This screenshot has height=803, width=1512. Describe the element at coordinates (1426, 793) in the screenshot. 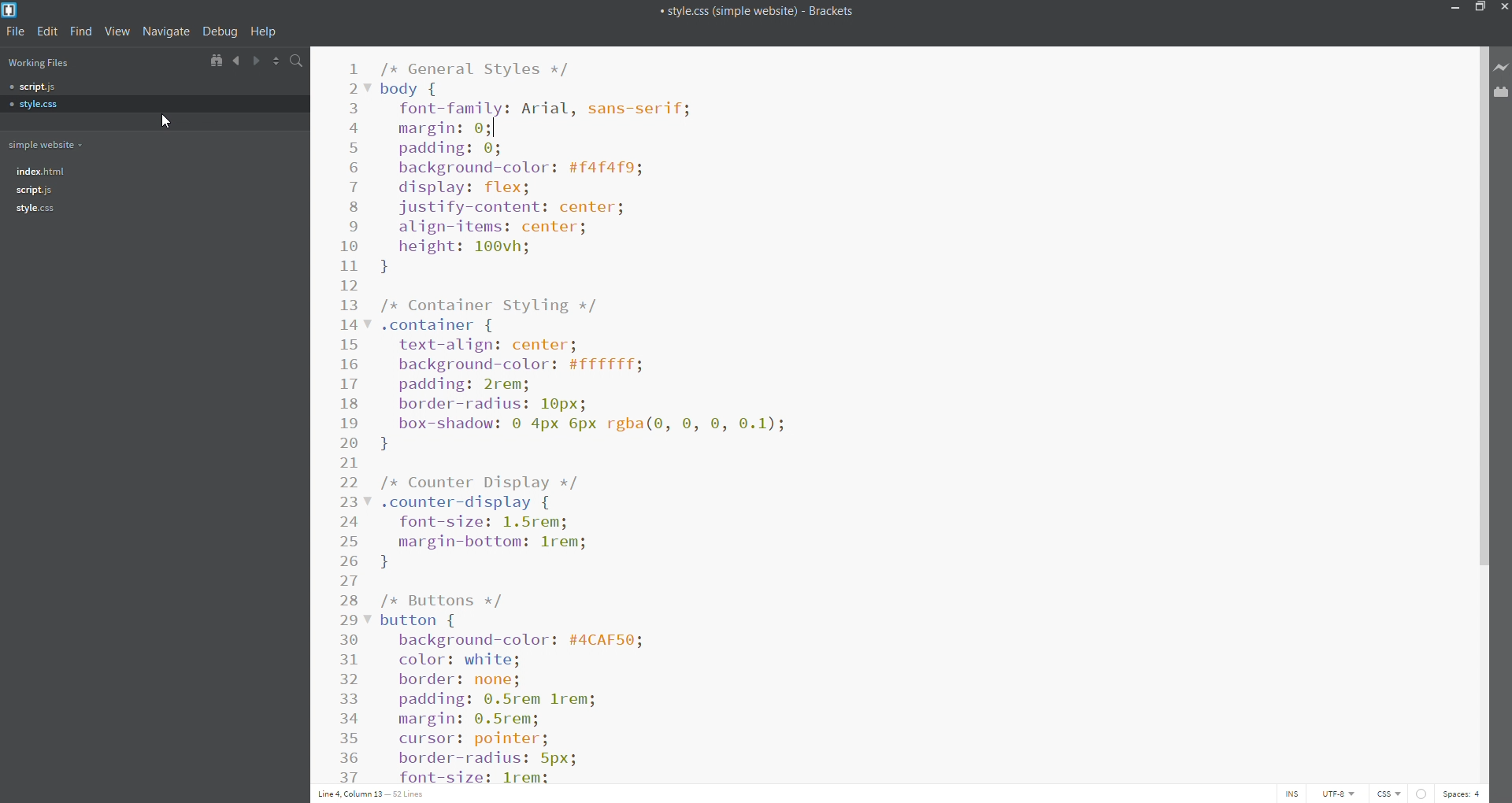

I see `errors` at that location.